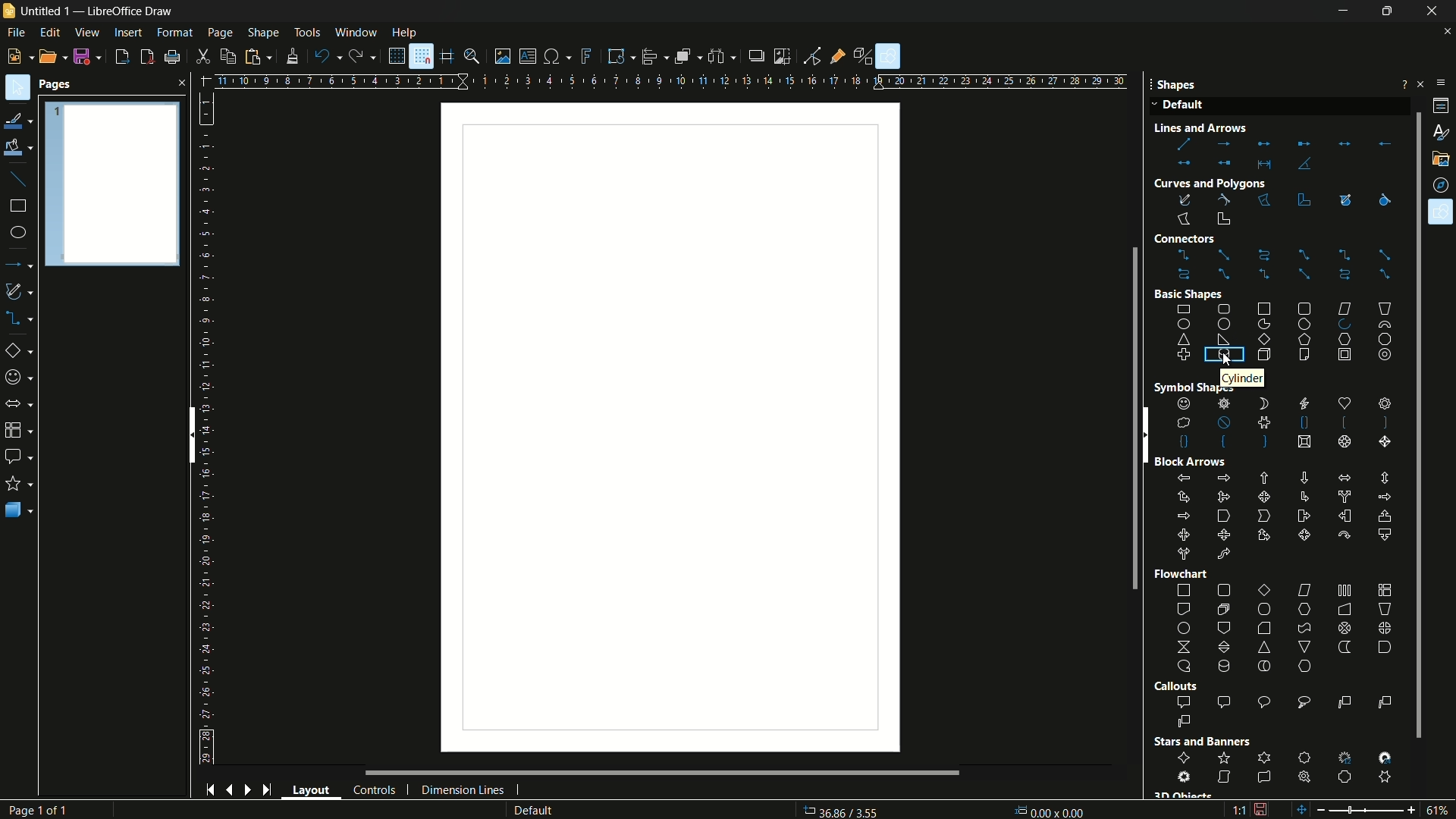  What do you see at coordinates (129, 11) in the screenshot?
I see `app name` at bounding box center [129, 11].